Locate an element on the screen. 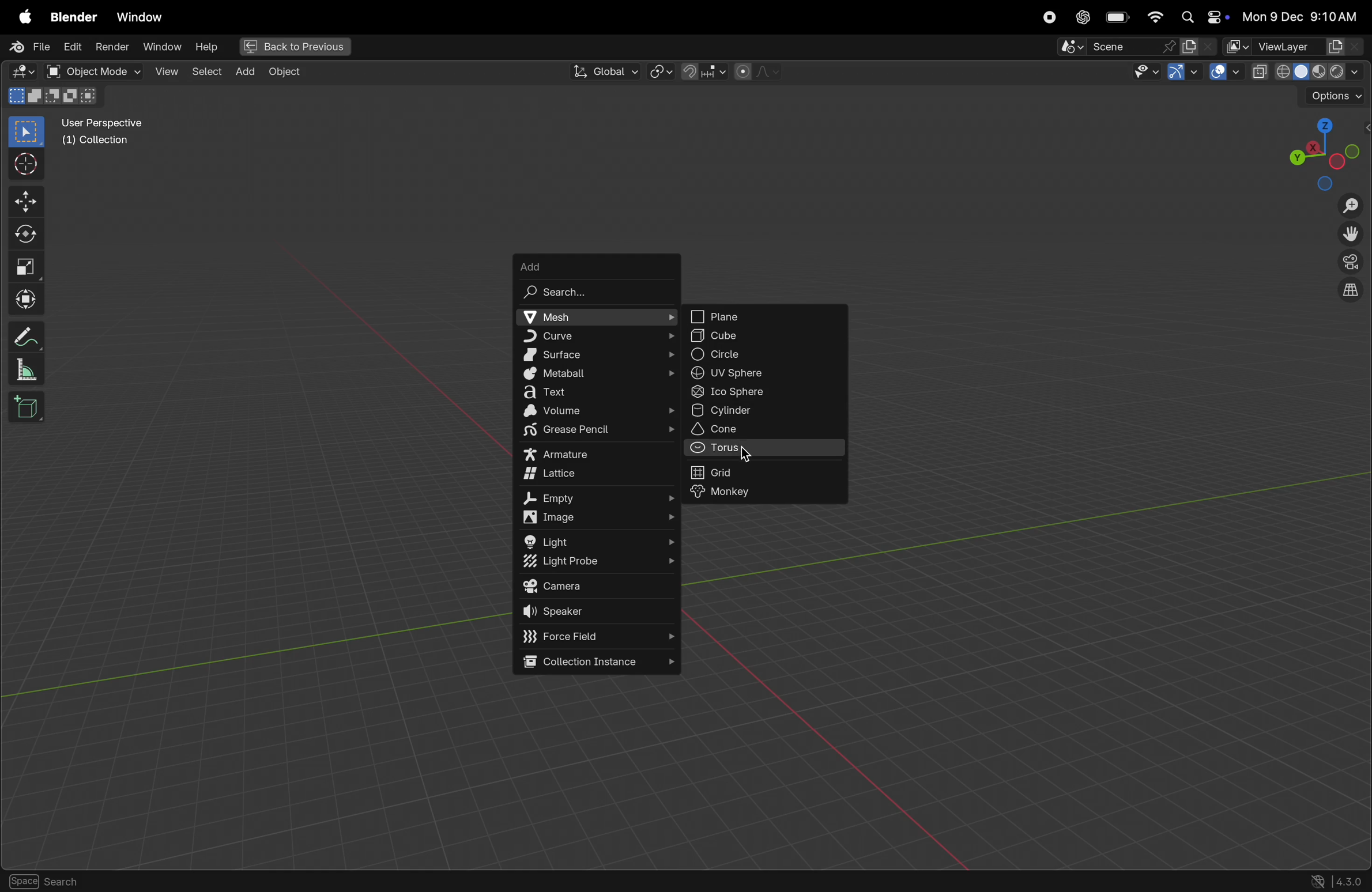 The image size is (1372, 892). collection instance is located at coordinates (596, 663).